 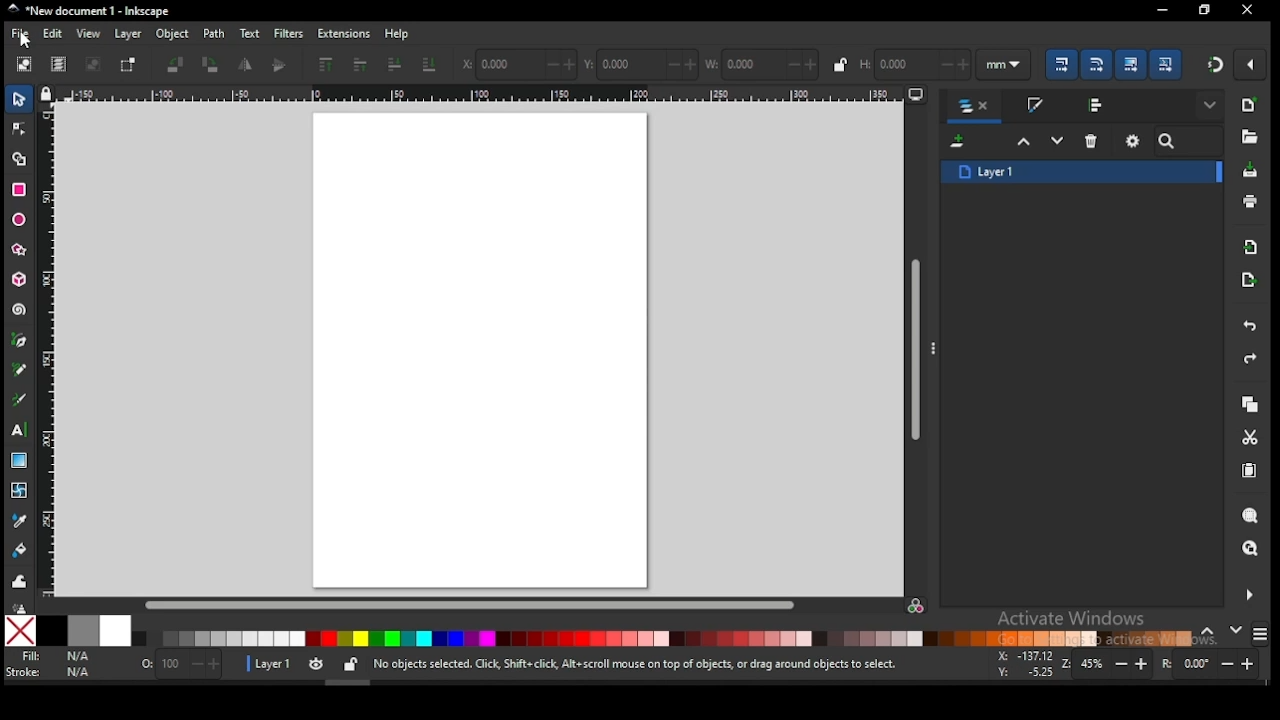 I want to click on when scaling objects, scale the stroke width in same proportion, so click(x=1058, y=64).